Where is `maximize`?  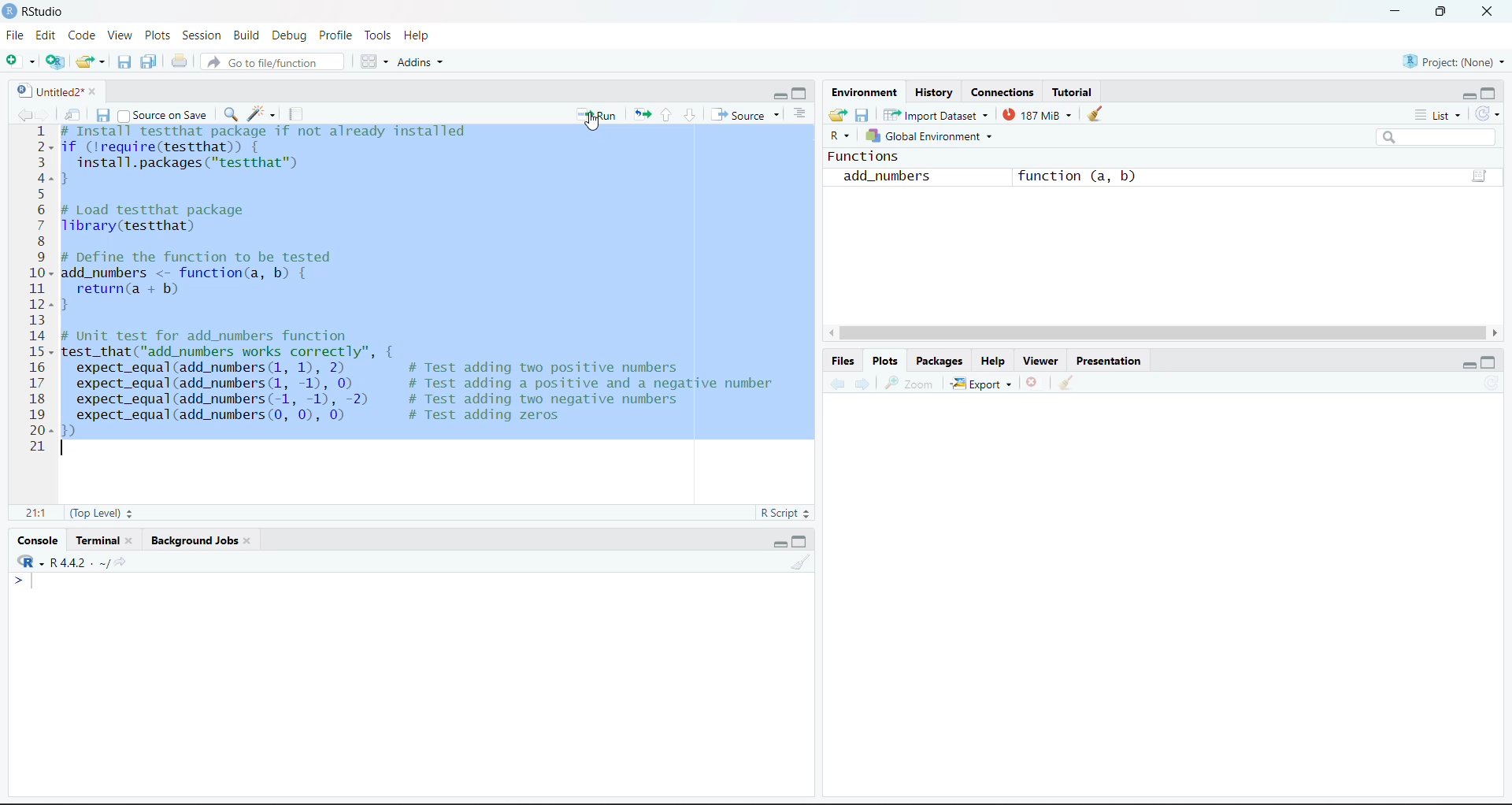
maximize is located at coordinates (1490, 363).